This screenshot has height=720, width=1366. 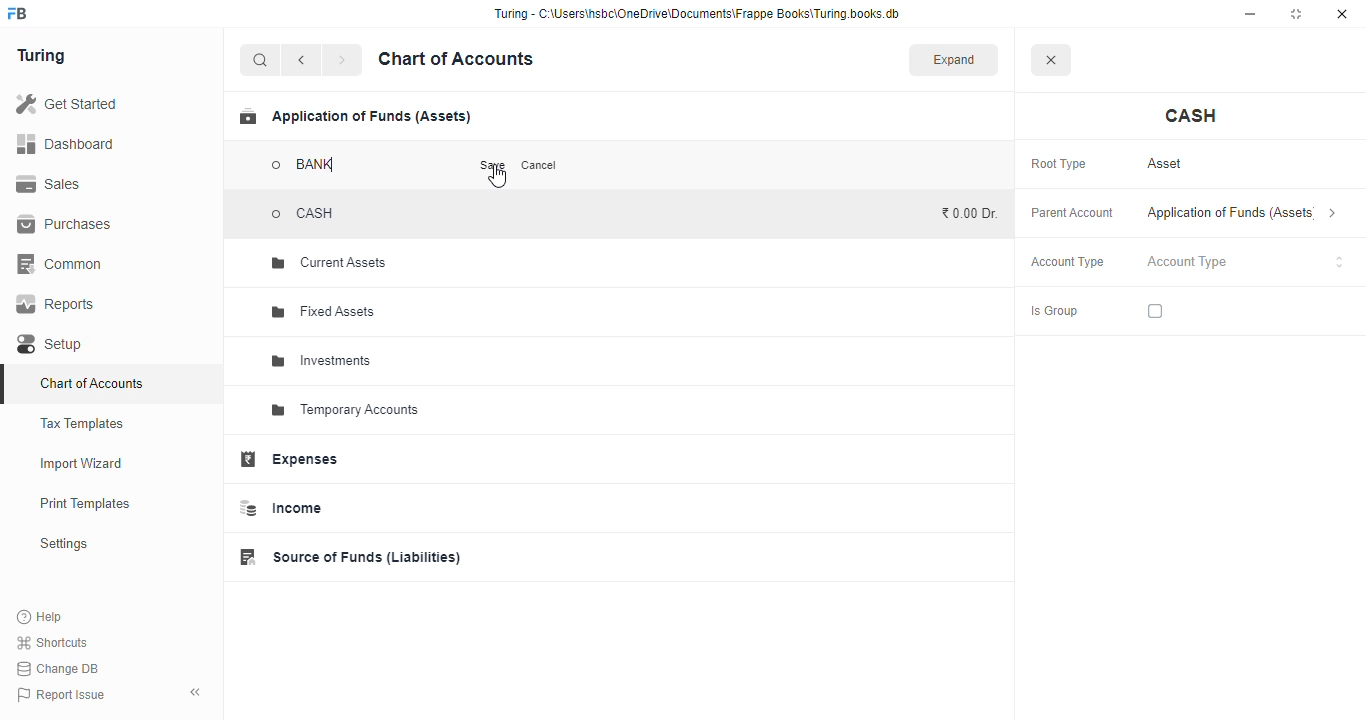 What do you see at coordinates (1068, 262) in the screenshot?
I see `account type` at bounding box center [1068, 262].